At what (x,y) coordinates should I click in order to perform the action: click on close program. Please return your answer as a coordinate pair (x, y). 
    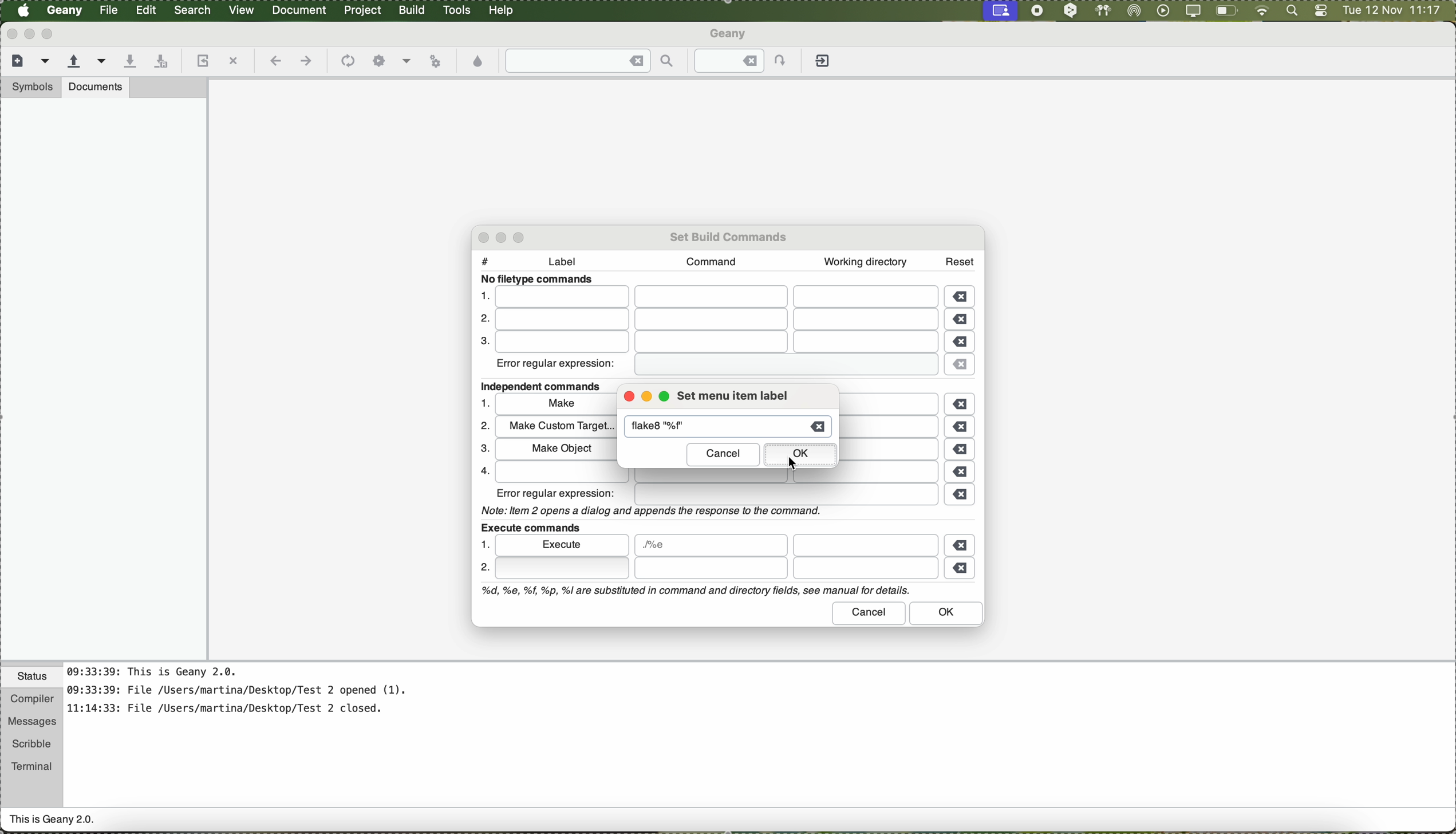
    Looking at the image, I should click on (10, 33).